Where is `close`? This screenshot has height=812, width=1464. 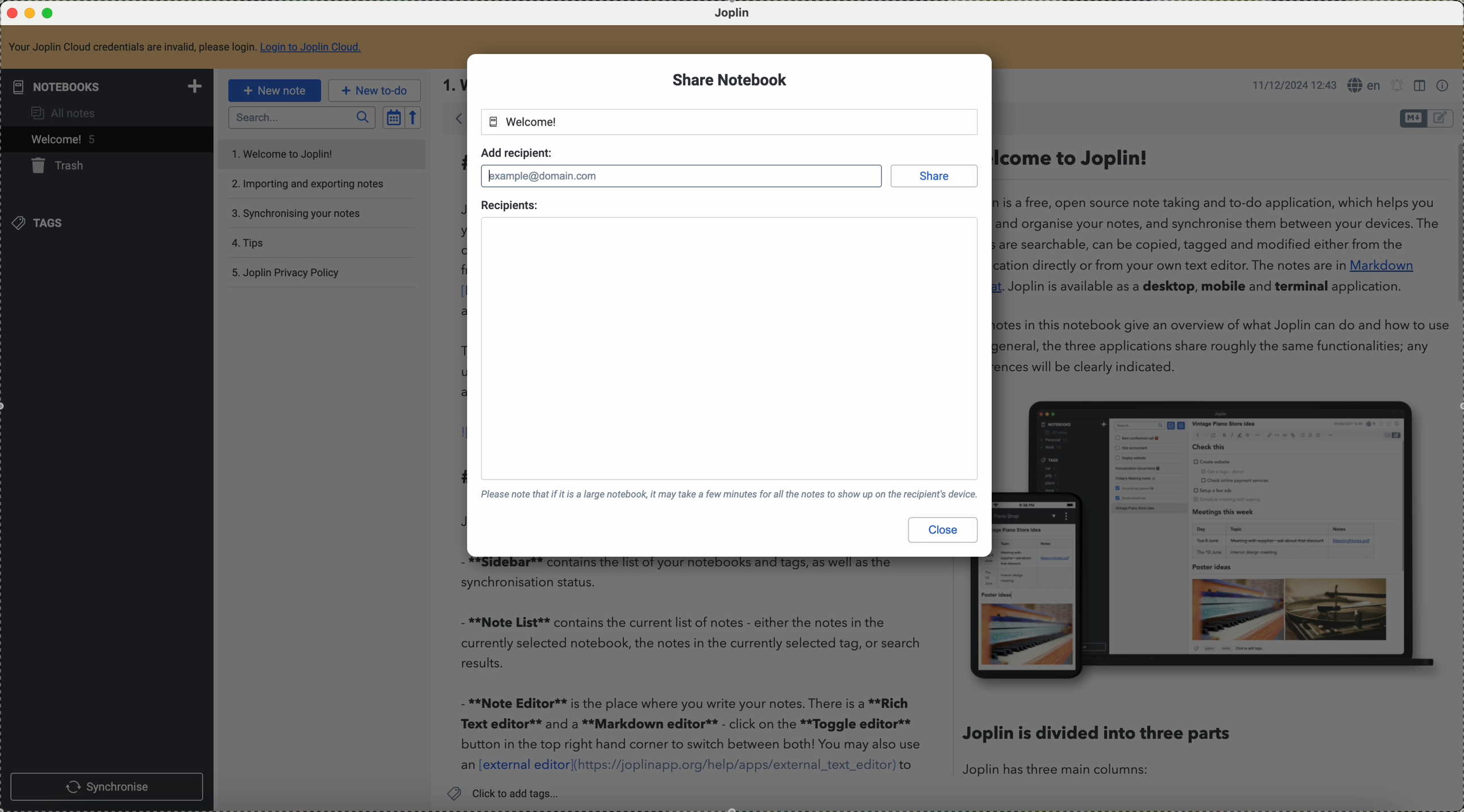 close is located at coordinates (944, 530).